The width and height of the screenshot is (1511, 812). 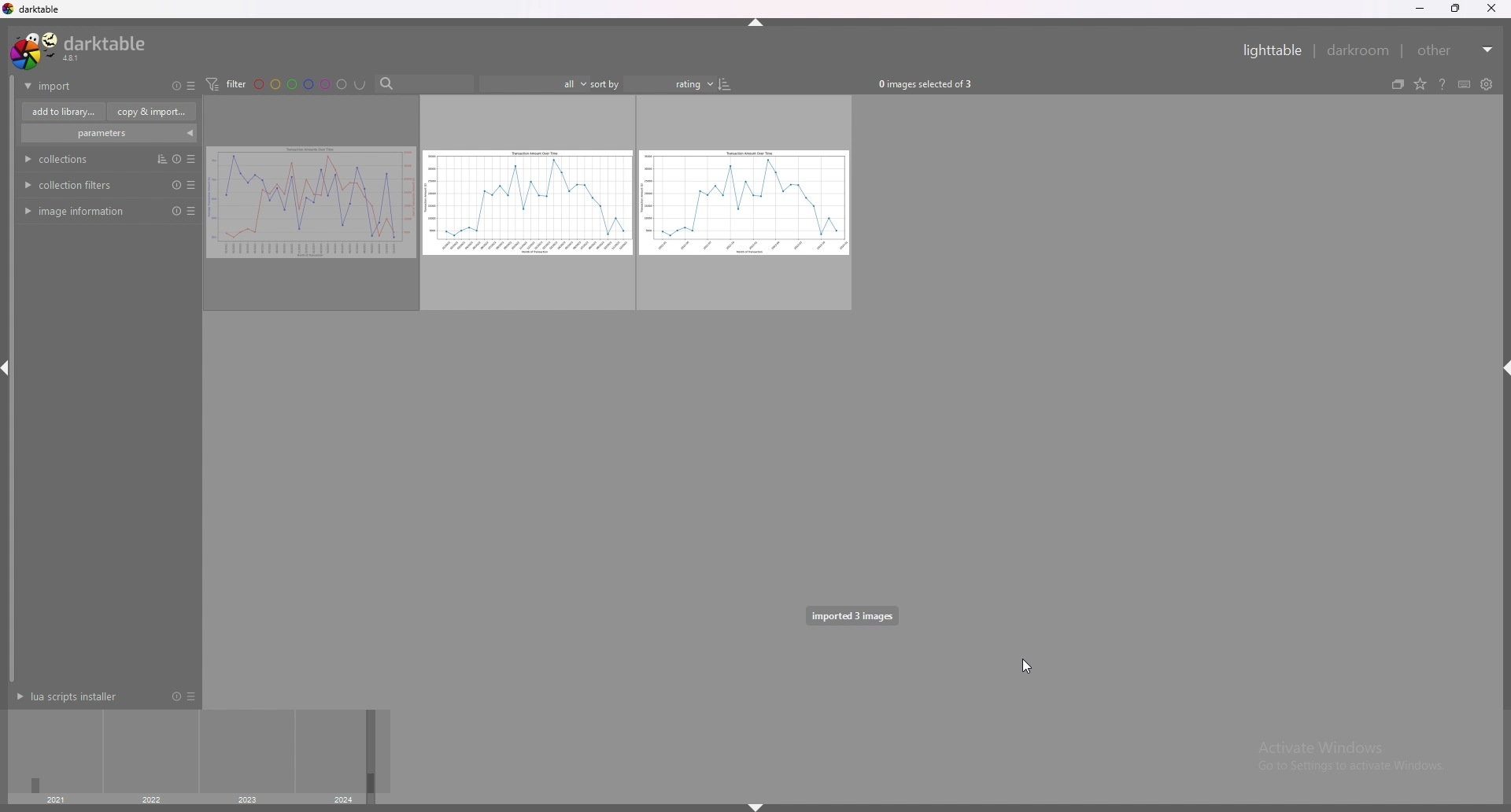 What do you see at coordinates (1025, 663) in the screenshot?
I see `cursor` at bounding box center [1025, 663].